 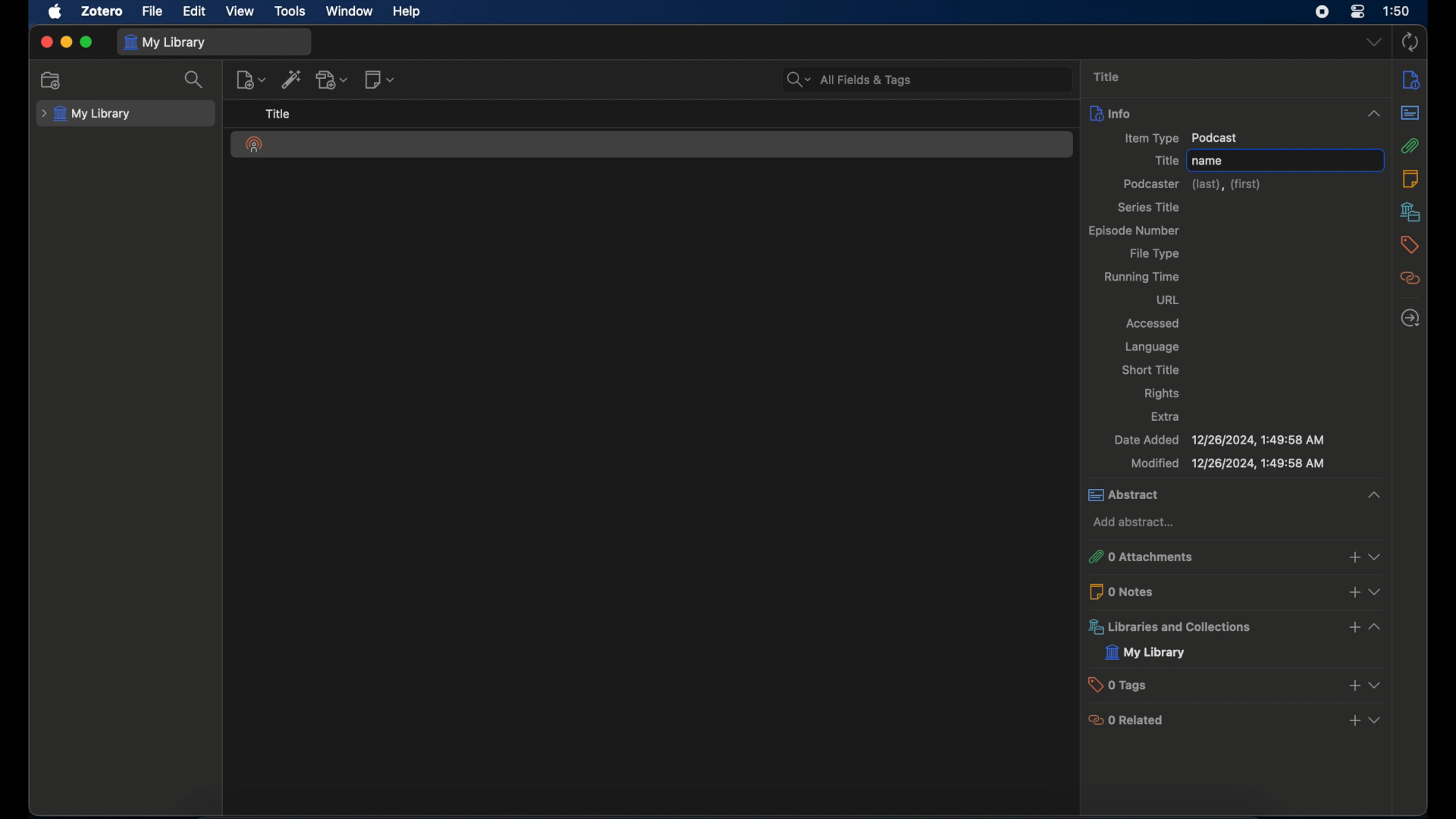 What do you see at coordinates (1148, 207) in the screenshot?
I see `series title` at bounding box center [1148, 207].